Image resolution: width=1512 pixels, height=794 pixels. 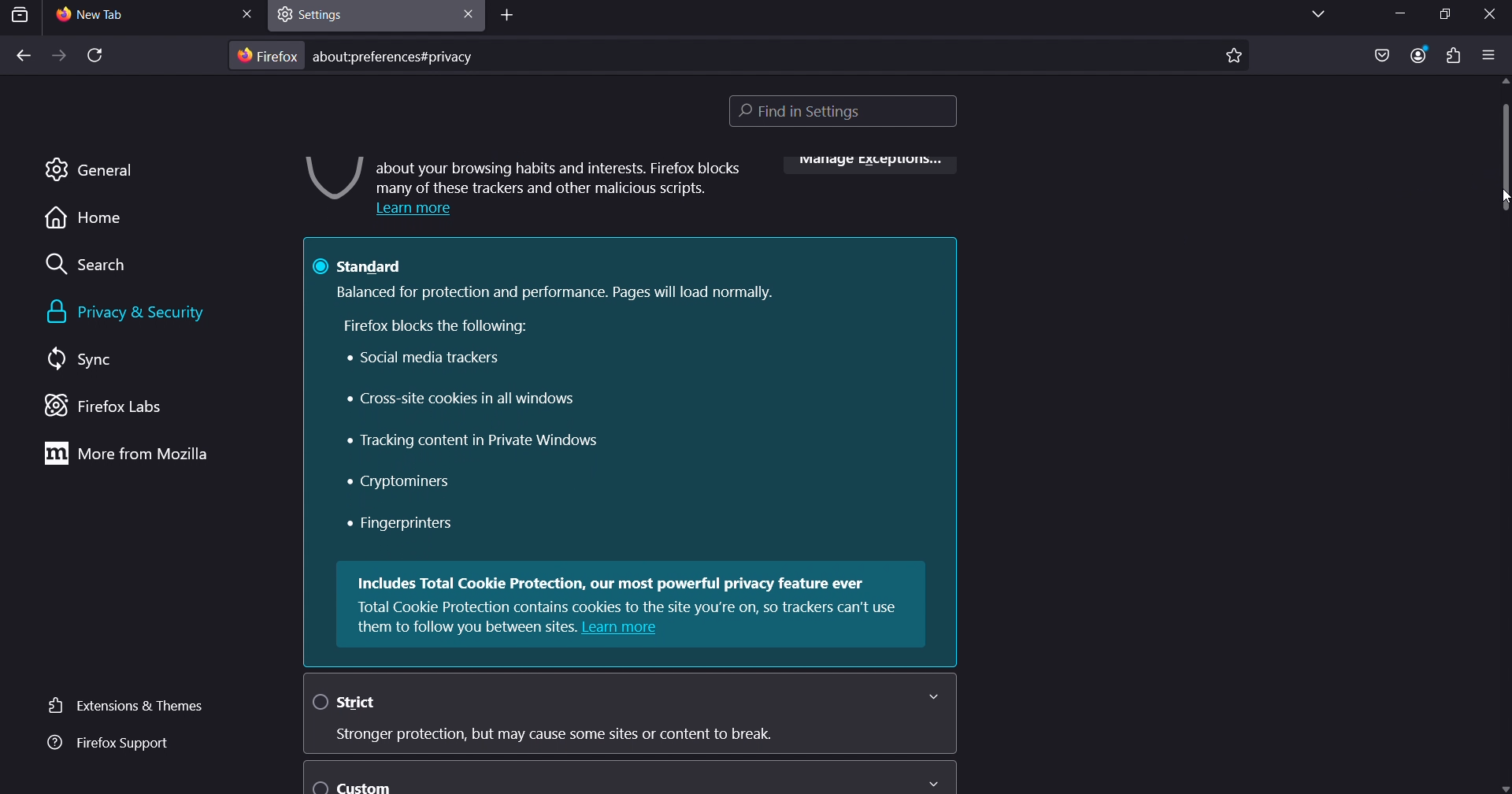 What do you see at coordinates (868, 169) in the screenshot?
I see `manage exceptions` at bounding box center [868, 169].